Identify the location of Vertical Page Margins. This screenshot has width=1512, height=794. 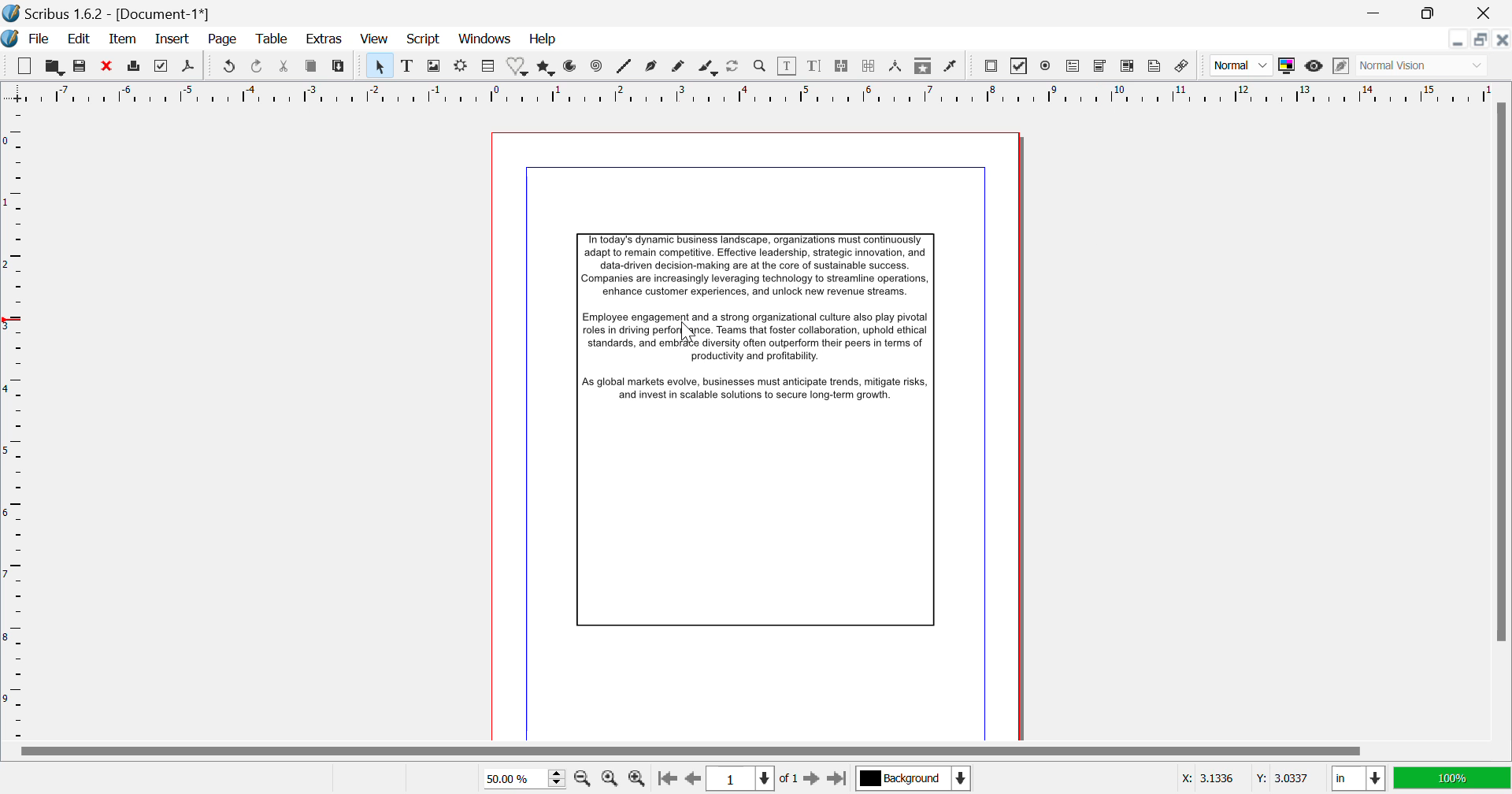
(752, 91).